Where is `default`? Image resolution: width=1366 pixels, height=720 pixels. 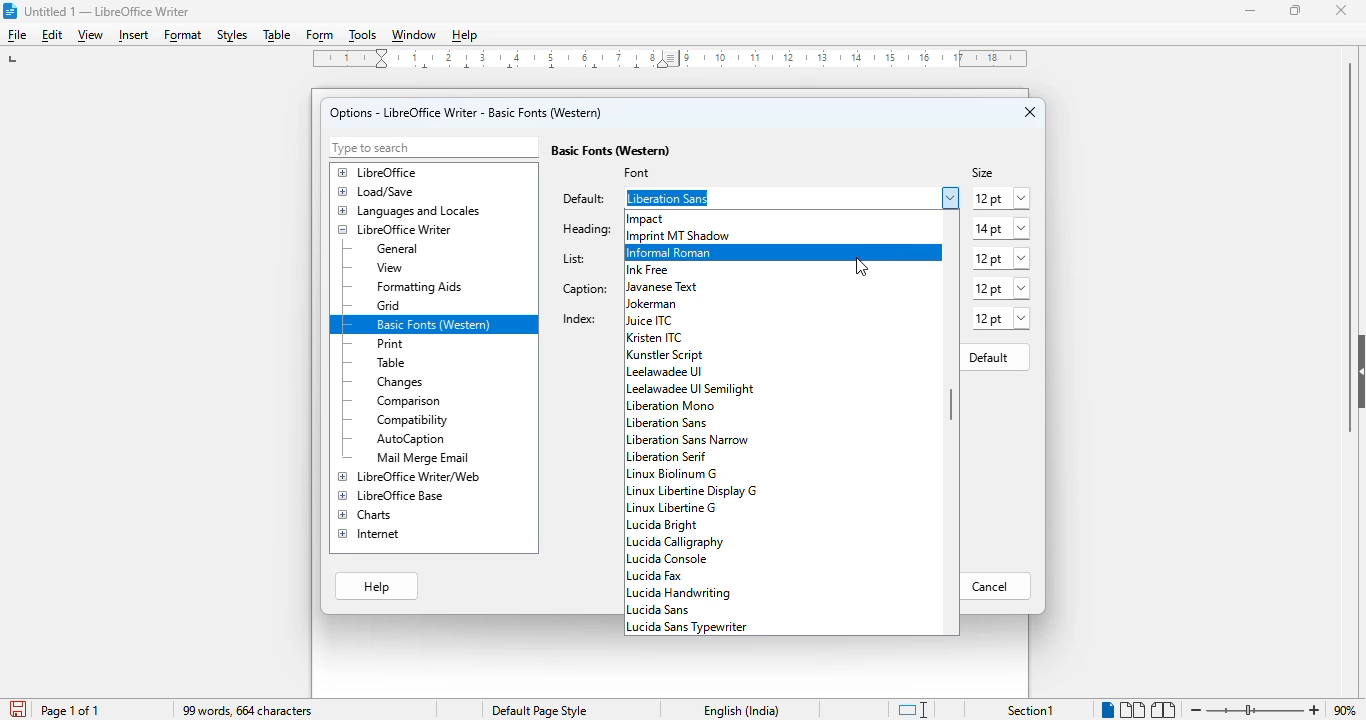 default is located at coordinates (989, 357).